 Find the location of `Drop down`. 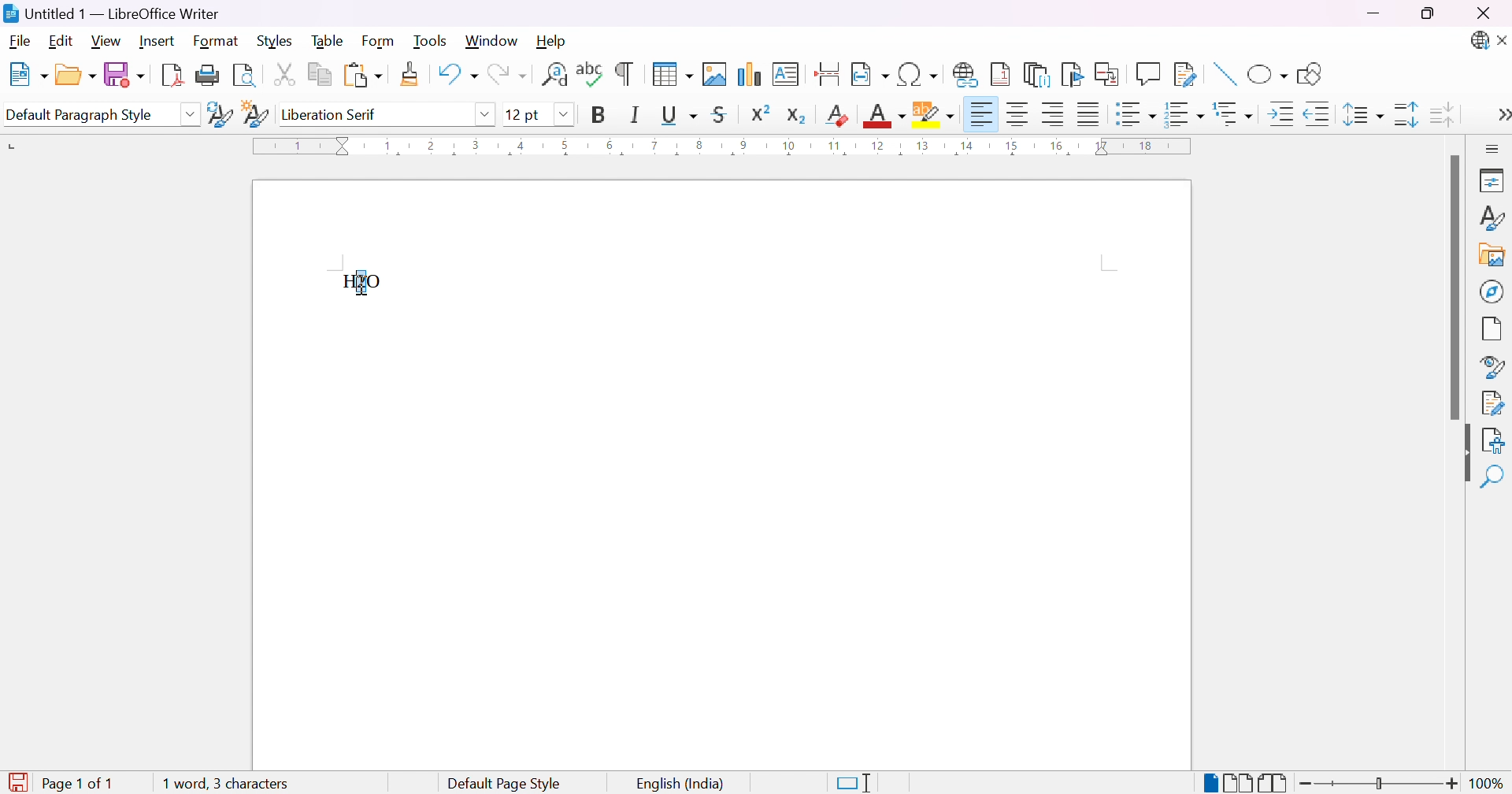

Drop down is located at coordinates (485, 113).